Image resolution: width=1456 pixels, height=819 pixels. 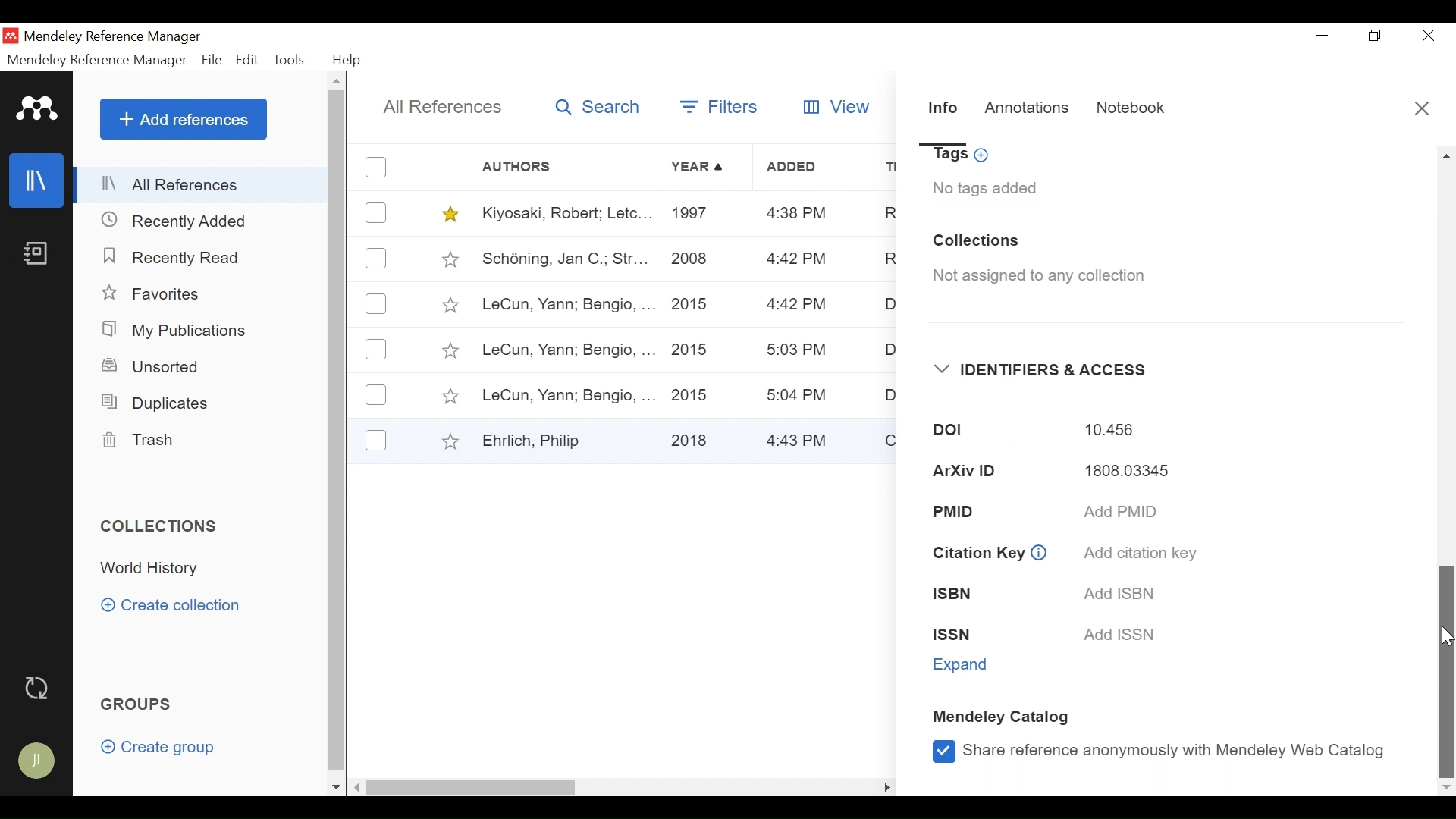 I want to click on (un)select favorite, so click(x=448, y=351).